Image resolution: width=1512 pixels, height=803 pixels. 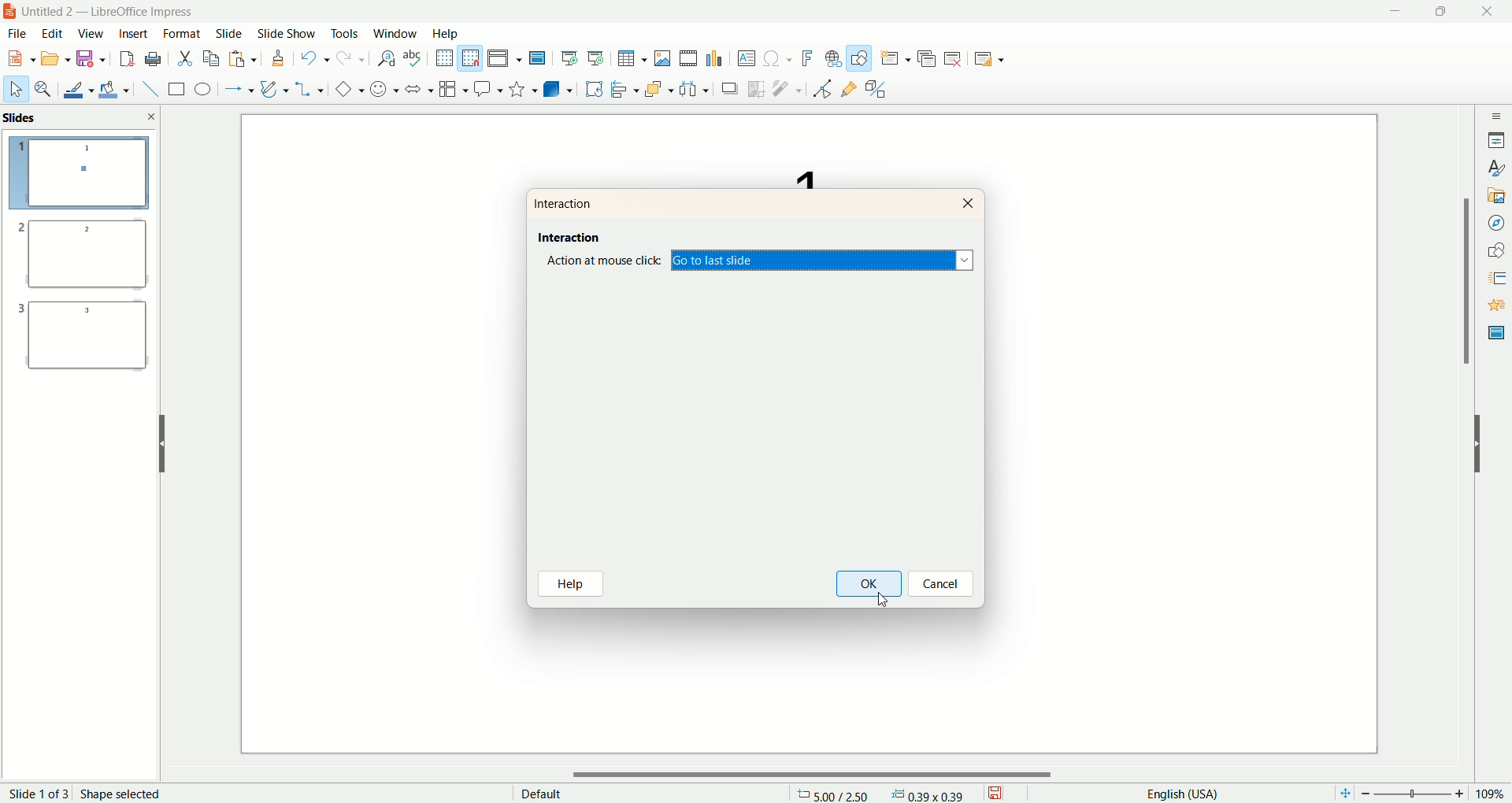 I want to click on start from current slide, so click(x=596, y=56).